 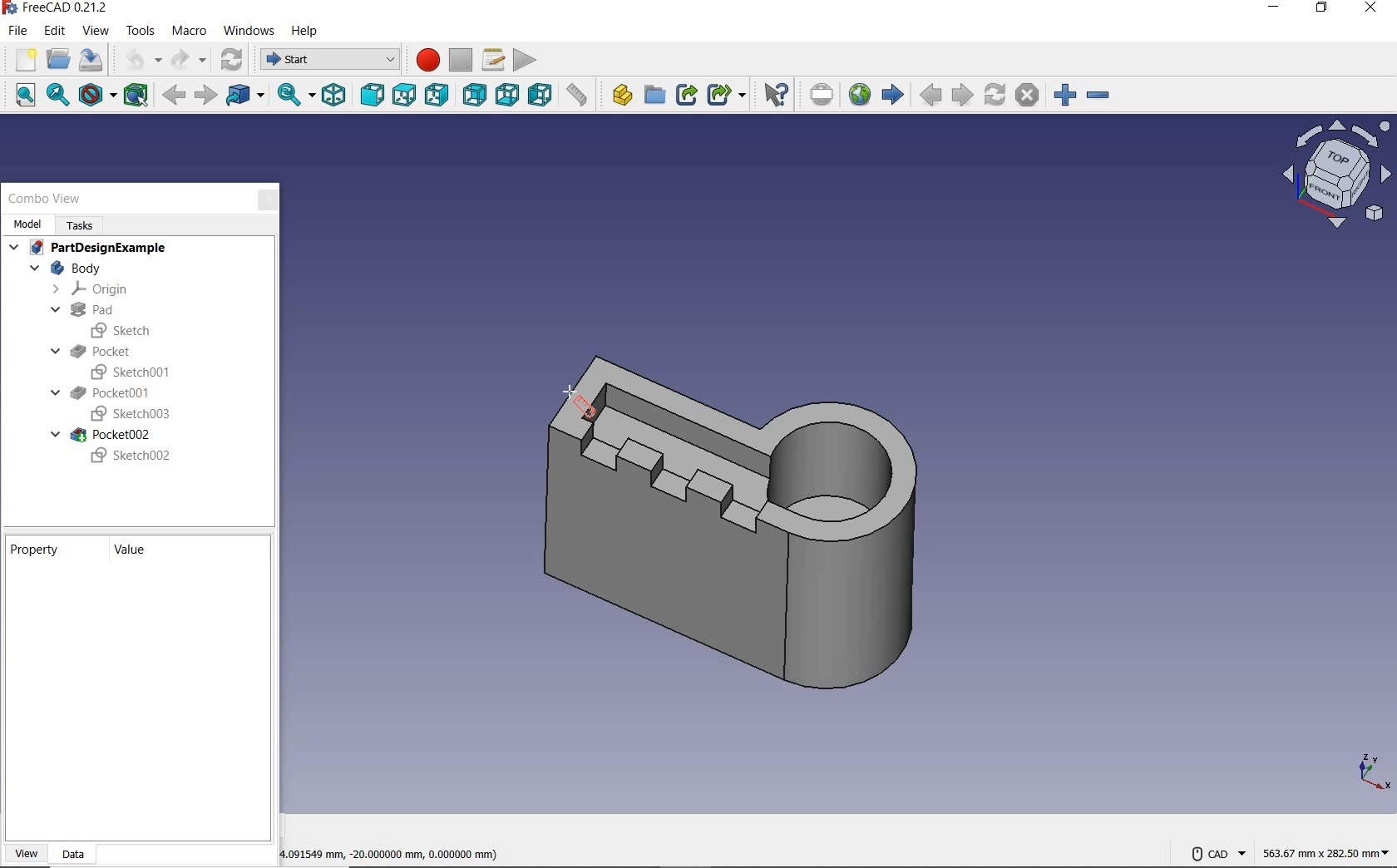 What do you see at coordinates (131, 456) in the screenshot?
I see `SKETCH002` at bounding box center [131, 456].